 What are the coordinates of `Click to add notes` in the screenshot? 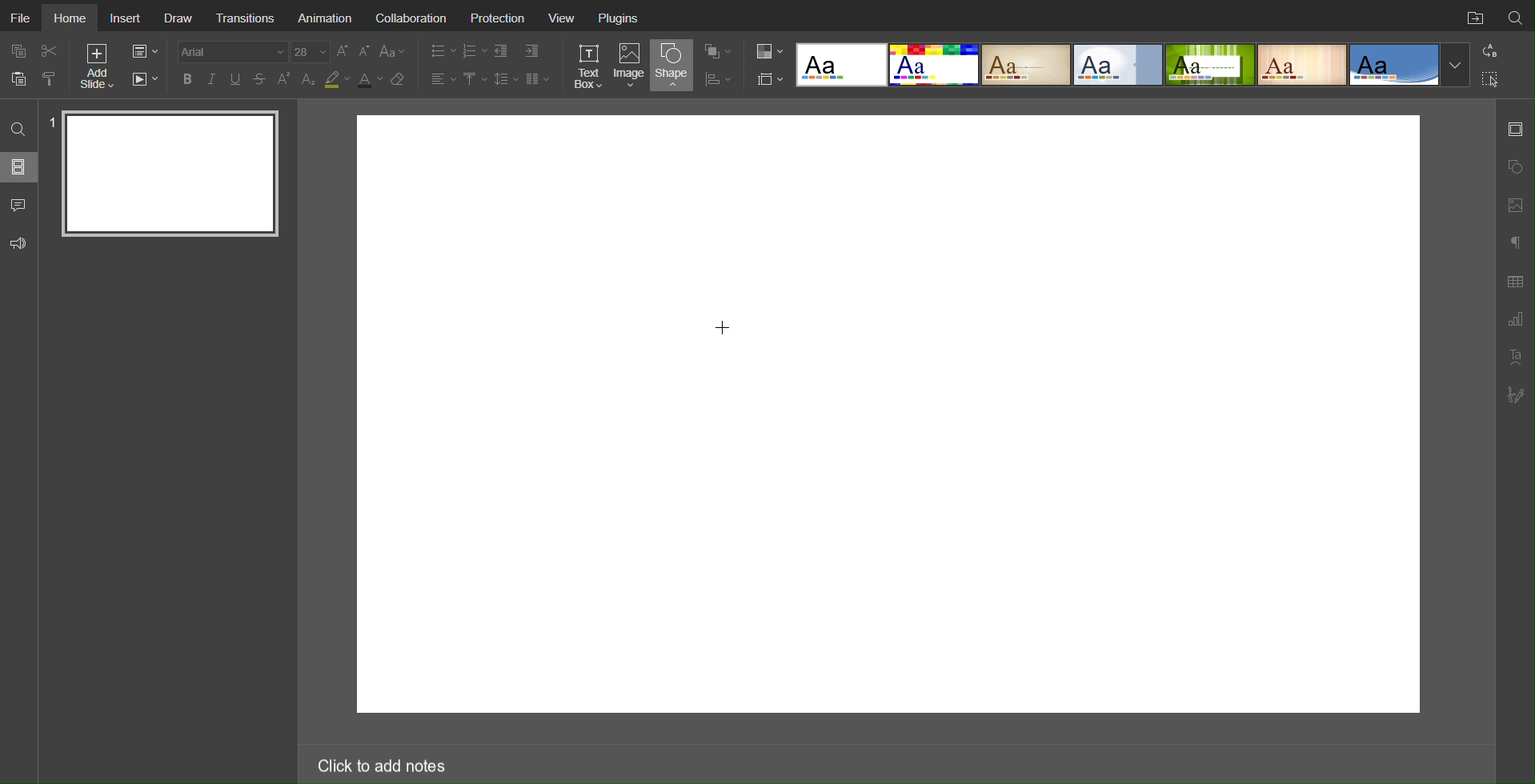 It's located at (380, 762).